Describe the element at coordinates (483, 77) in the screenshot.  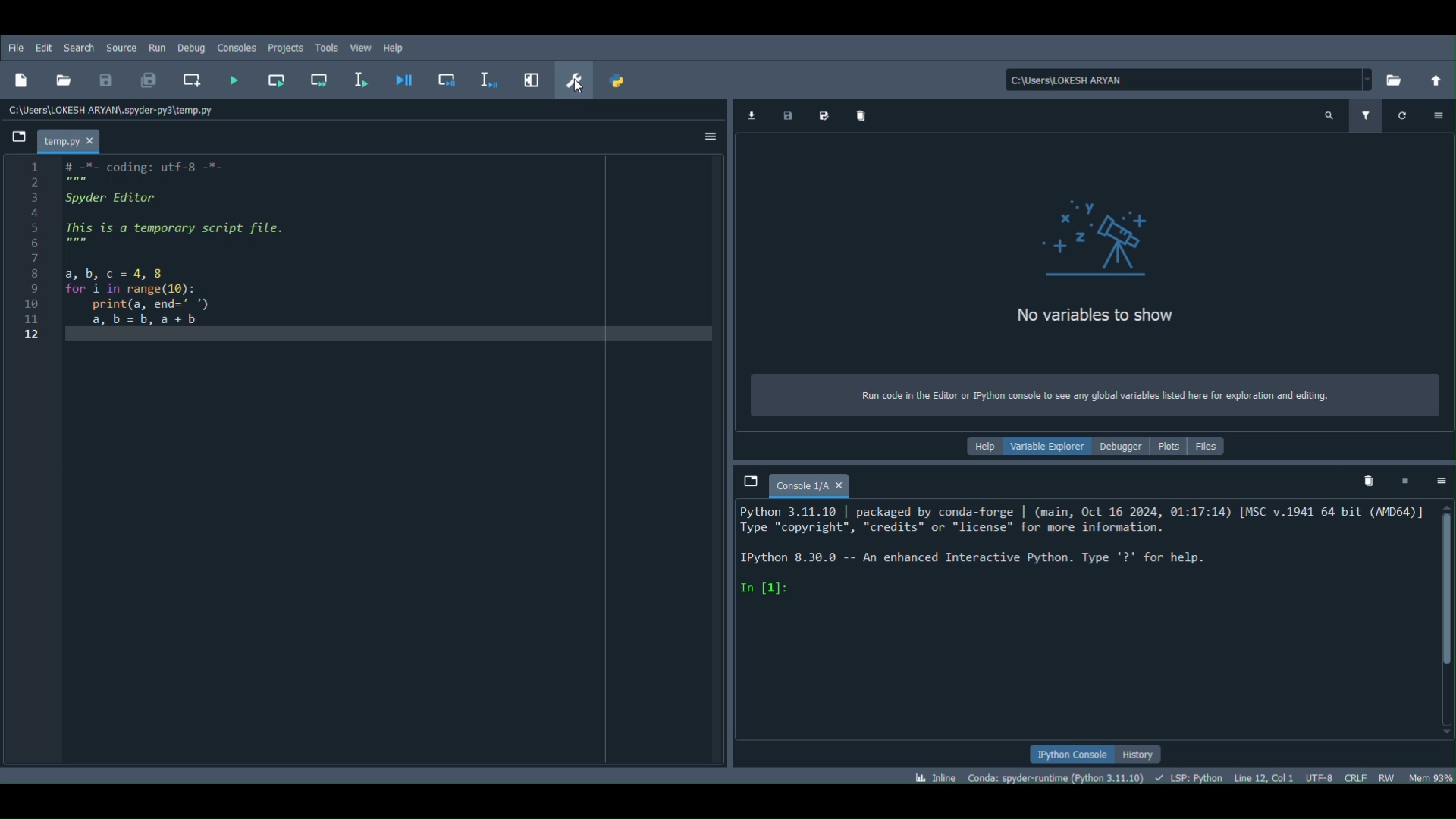
I see `Debug selection or current line` at that location.